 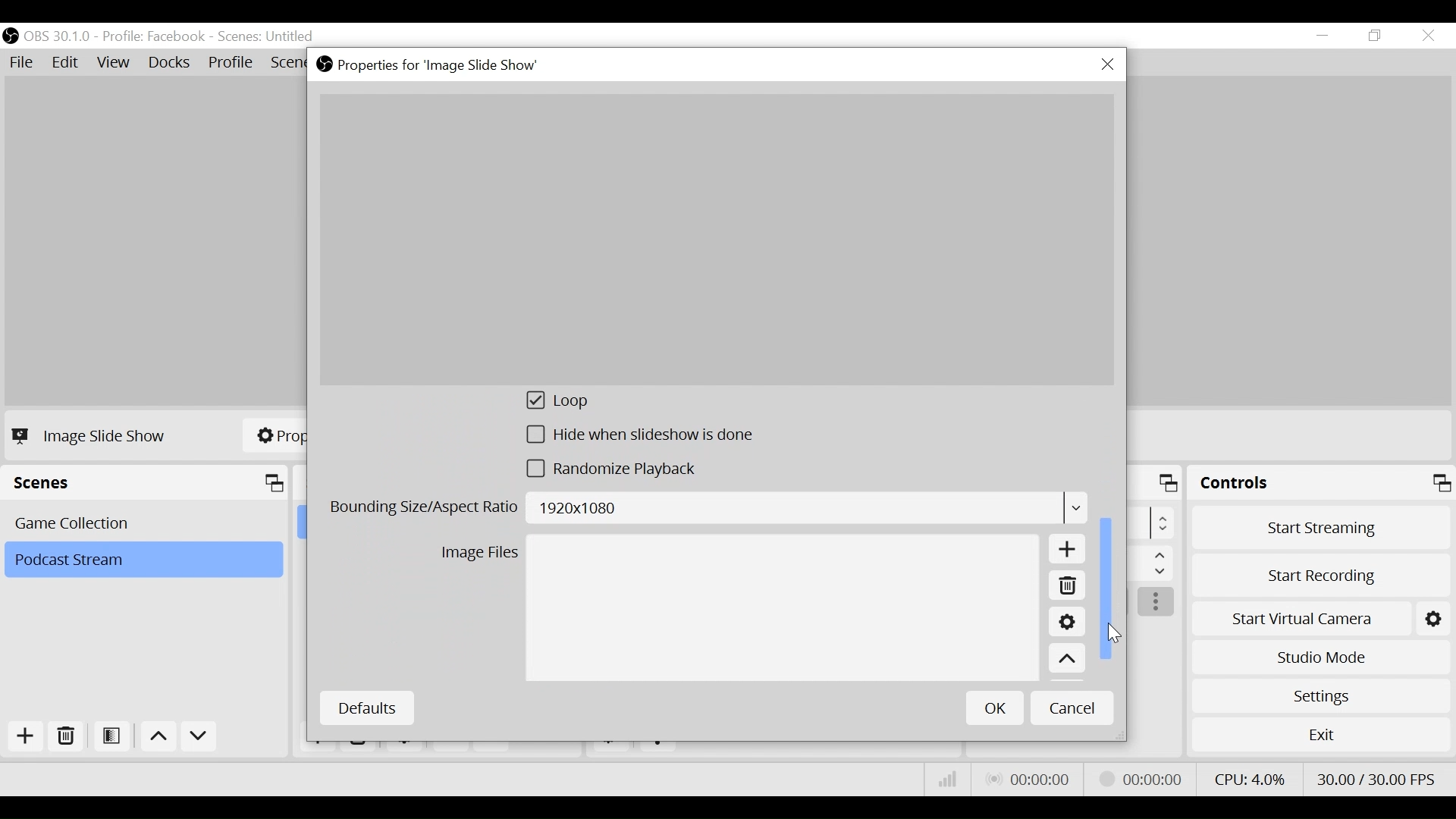 What do you see at coordinates (366, 708) in the screenshot?
I see `Defaults` at bounding box center [366, 708].